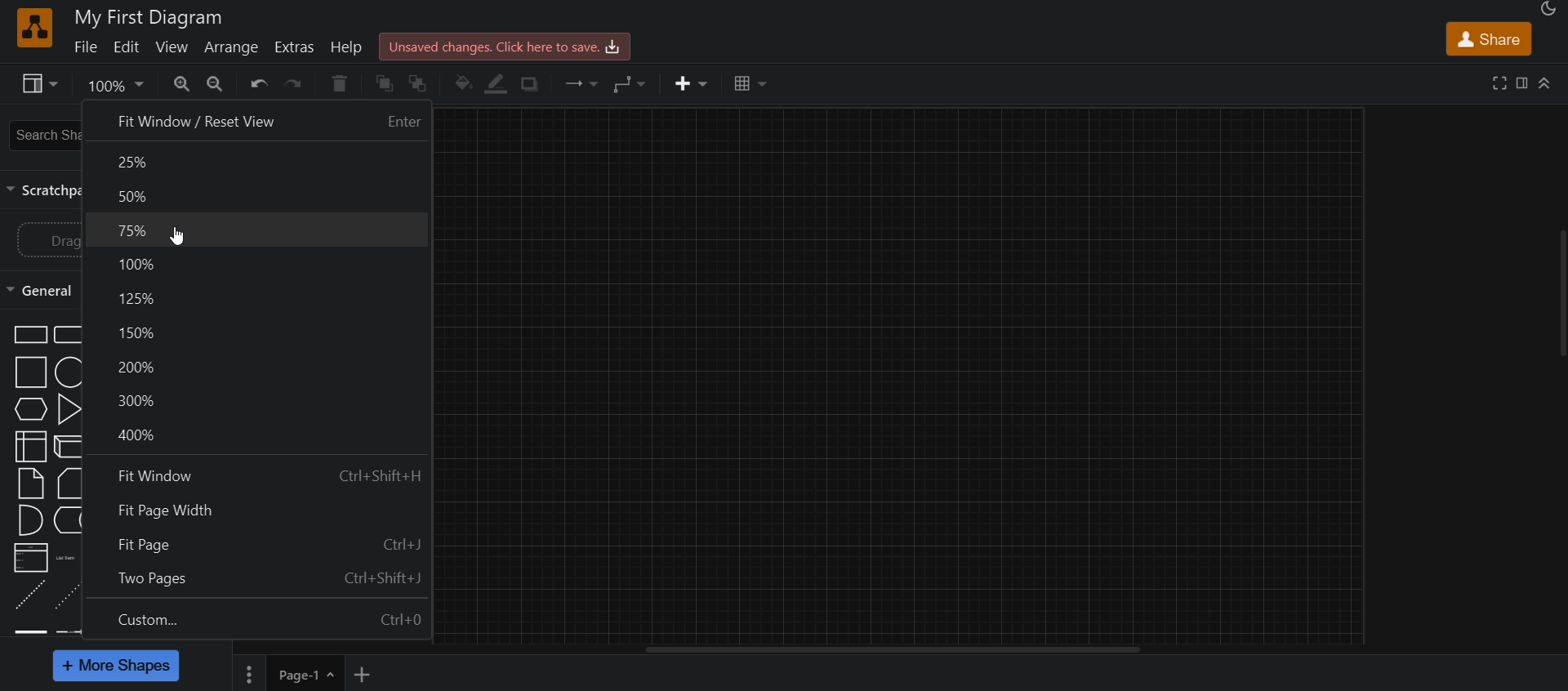 The width and height of the screenshot is (1568, 691). Describe the element at coordinates (1498, 84) in the screenshot. I see `fullscreen` at that location.